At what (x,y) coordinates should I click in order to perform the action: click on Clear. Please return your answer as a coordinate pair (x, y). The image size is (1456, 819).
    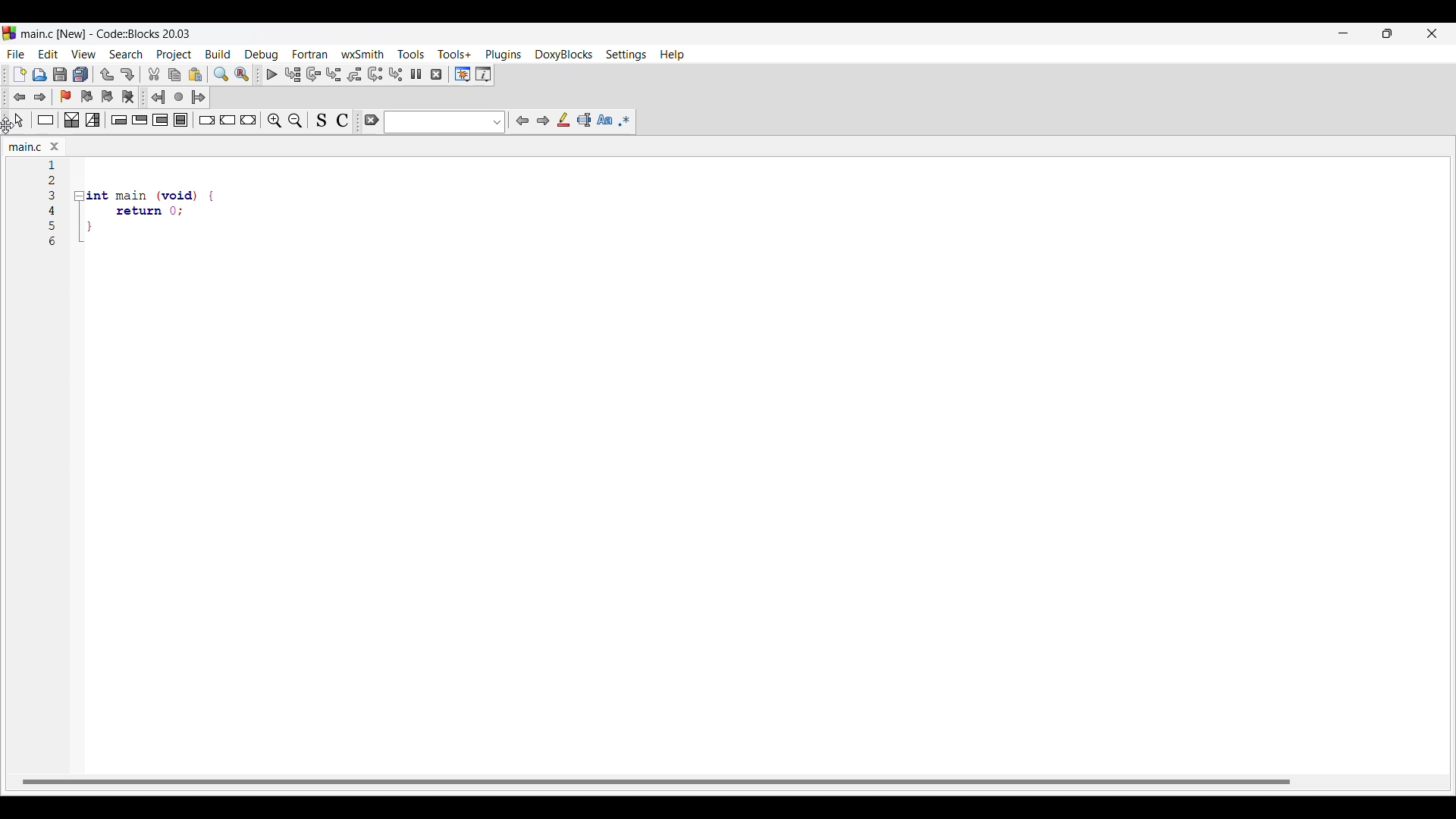
    Looking at the image, I should click on (372, 120).